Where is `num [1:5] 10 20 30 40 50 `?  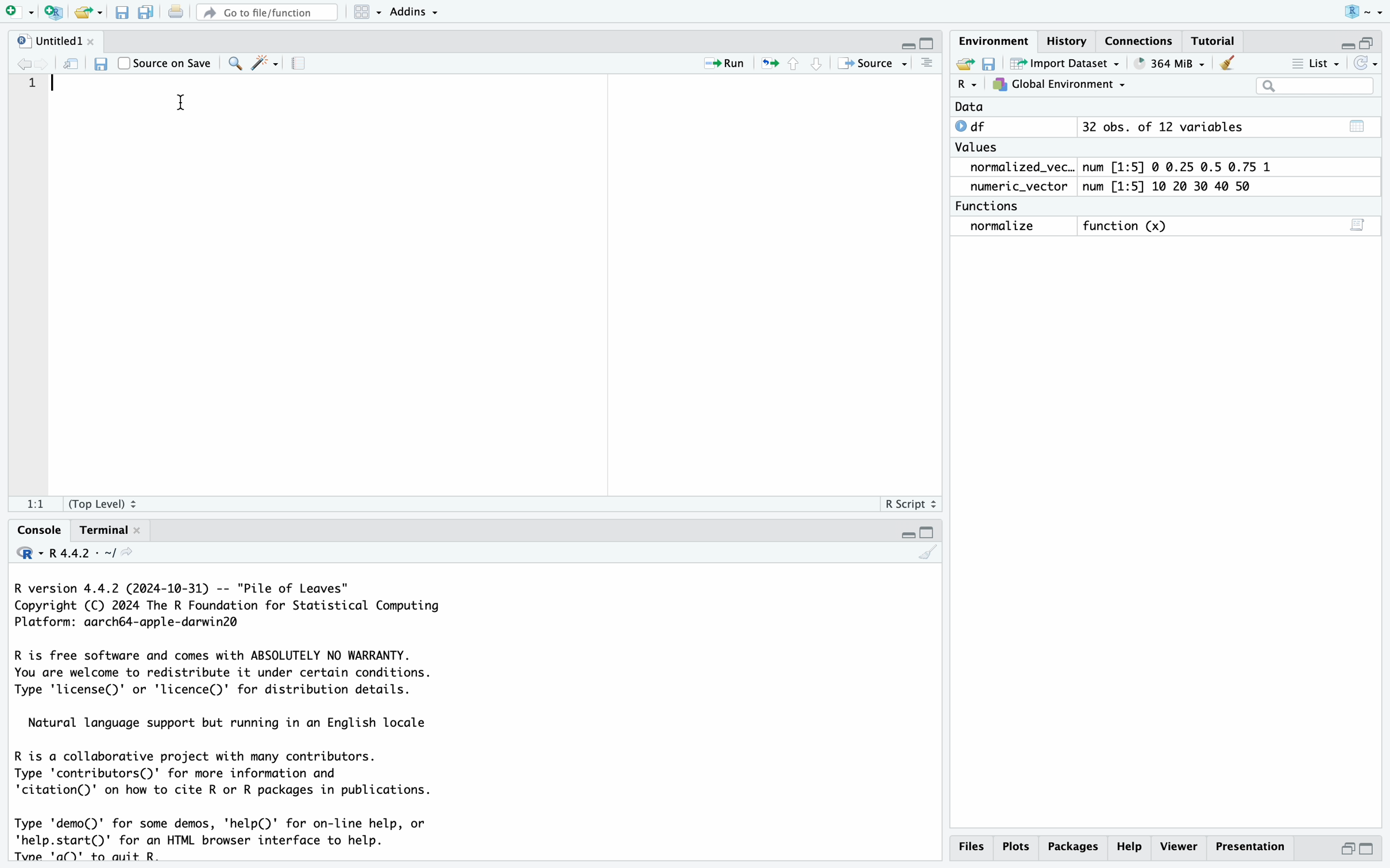
num [1:5] 10 20 30 40 50  is located at coordinates (1172, 187).